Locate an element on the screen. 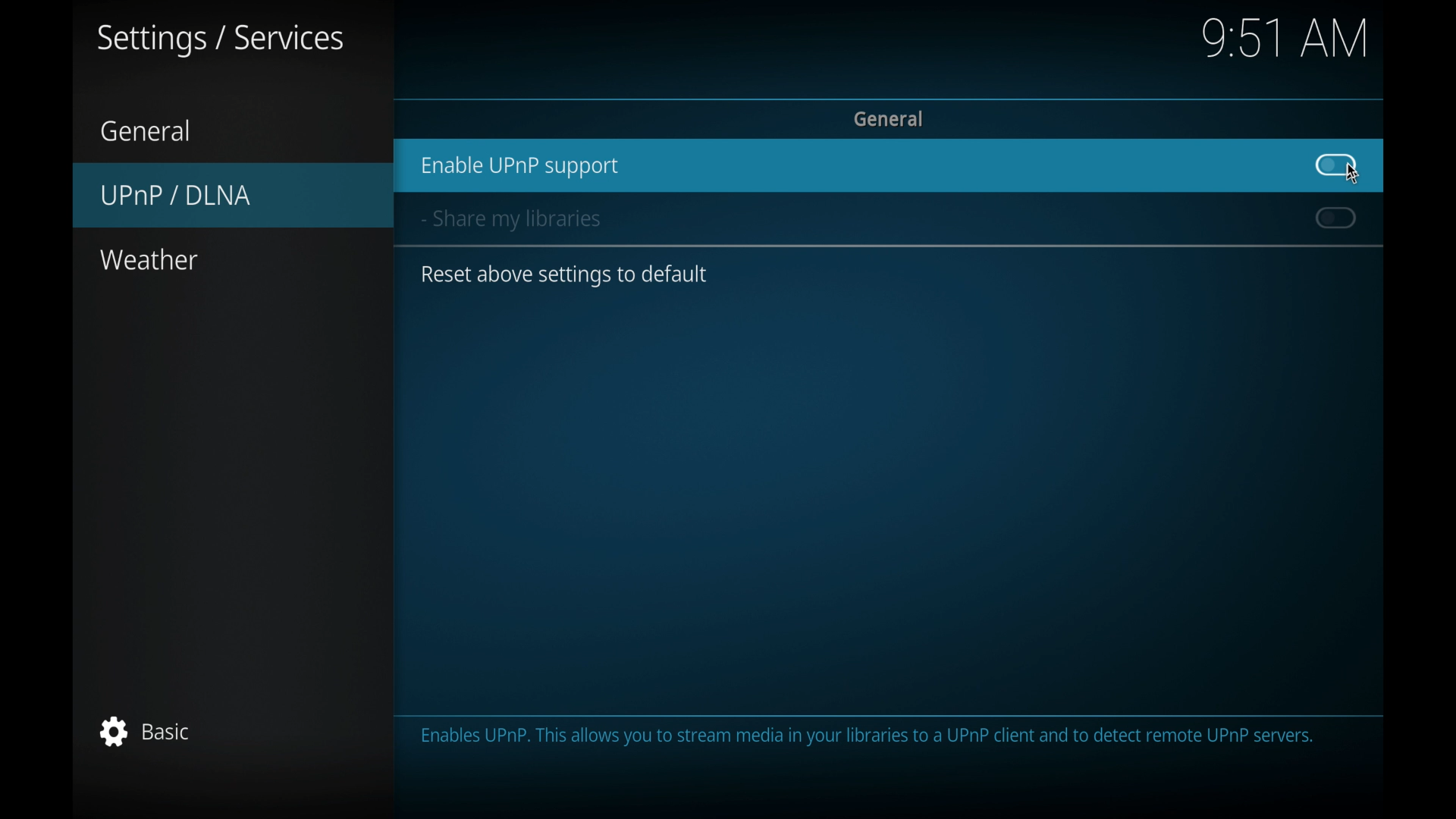 This screenshot has height=819, width=1456. enable UPnPsupport is located at coordinates (525, 166).